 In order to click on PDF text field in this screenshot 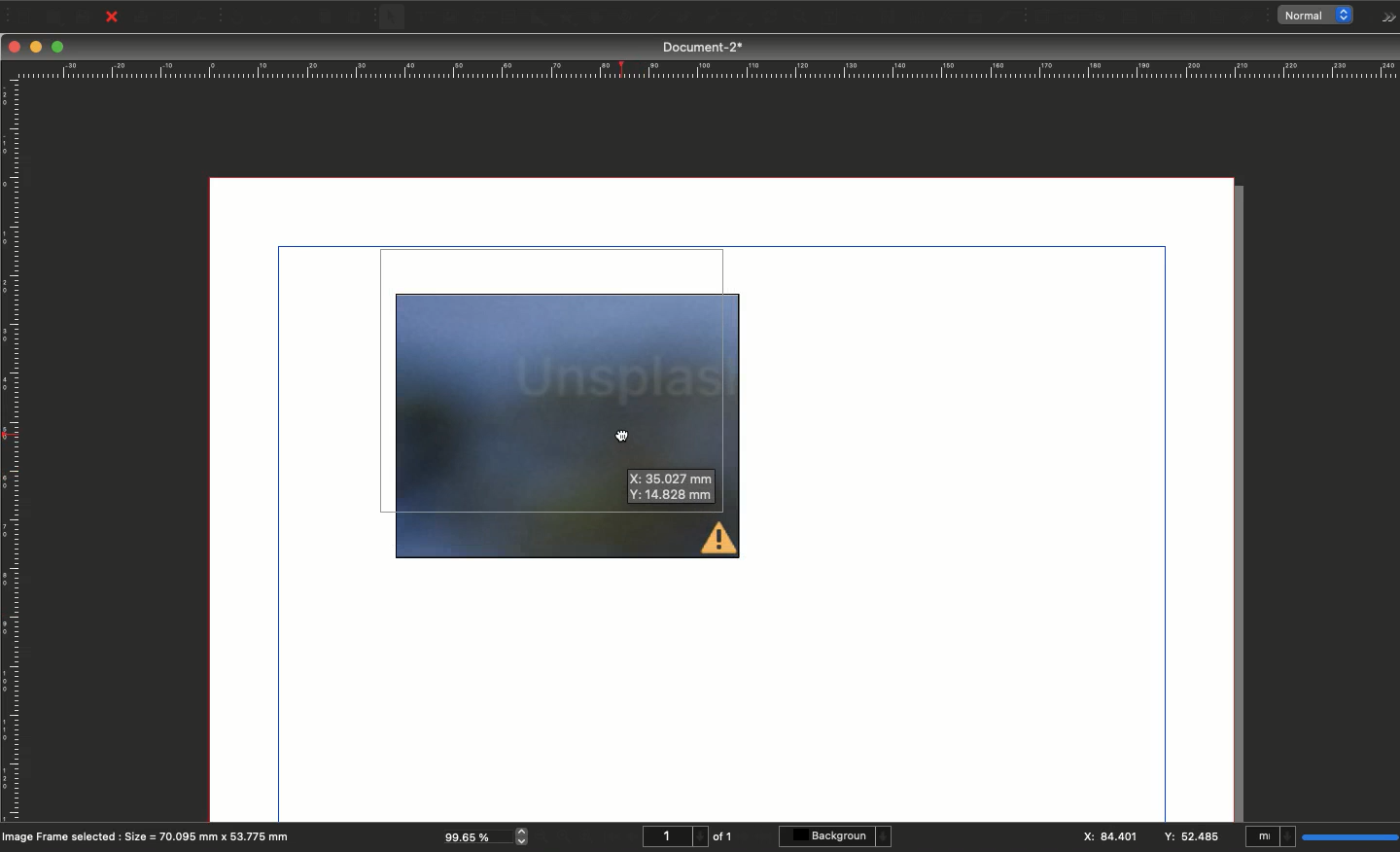, I will do `click(1129, 18)`.